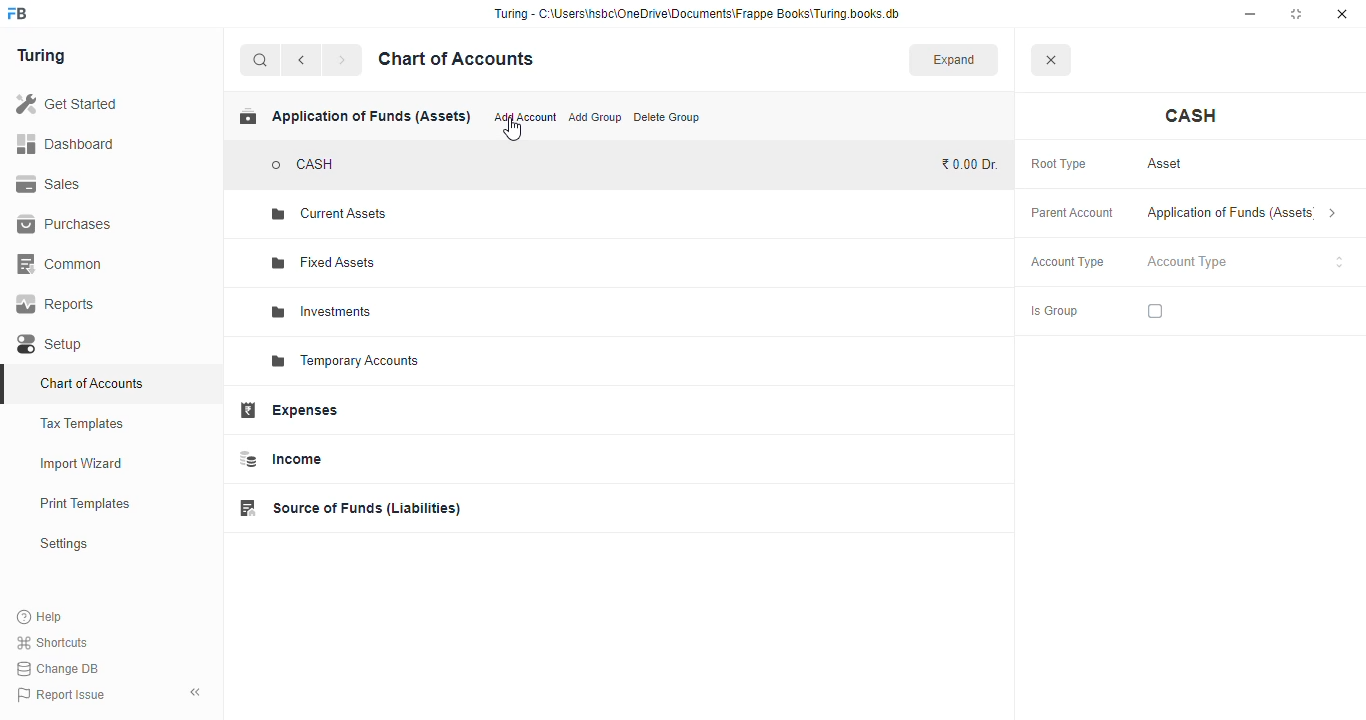 The width and height of the screenshot is (1366, 720). I want to click on temporary accounts, so click(345, 361).